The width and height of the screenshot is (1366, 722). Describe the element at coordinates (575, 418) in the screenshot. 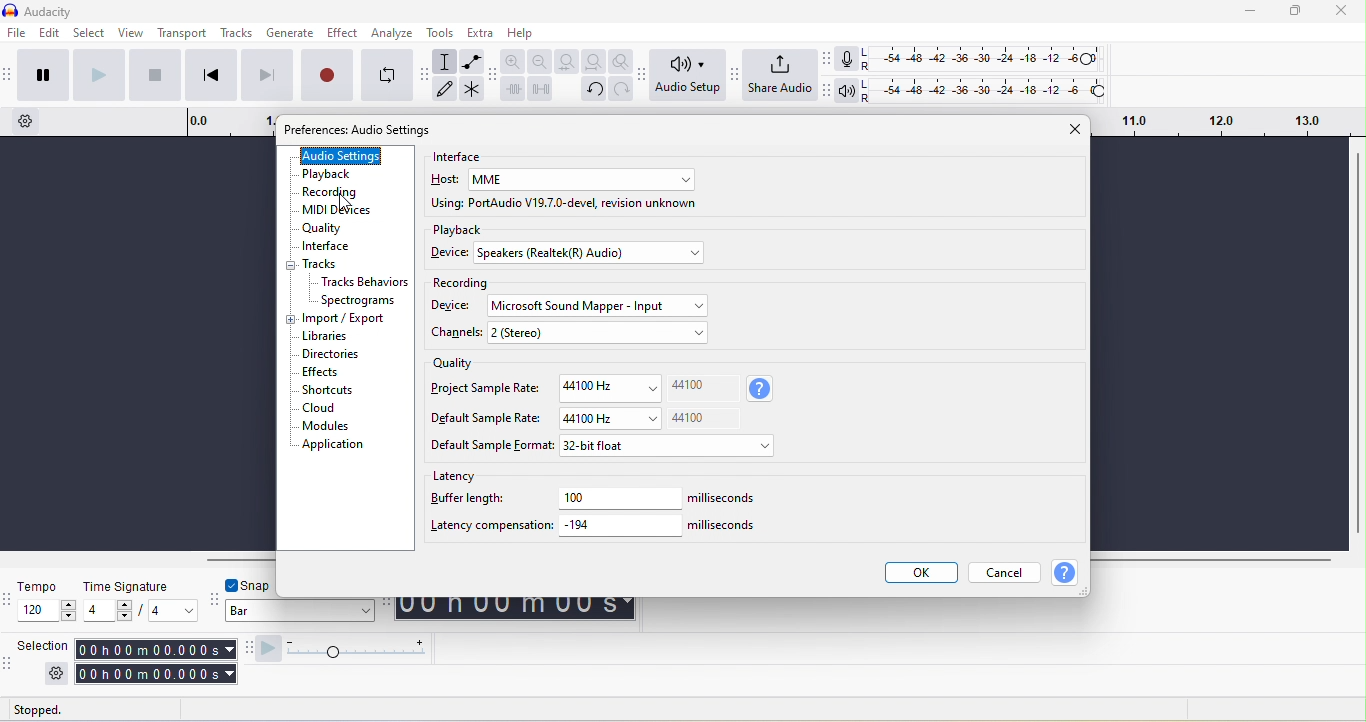

I see `default sample rate` at that location.